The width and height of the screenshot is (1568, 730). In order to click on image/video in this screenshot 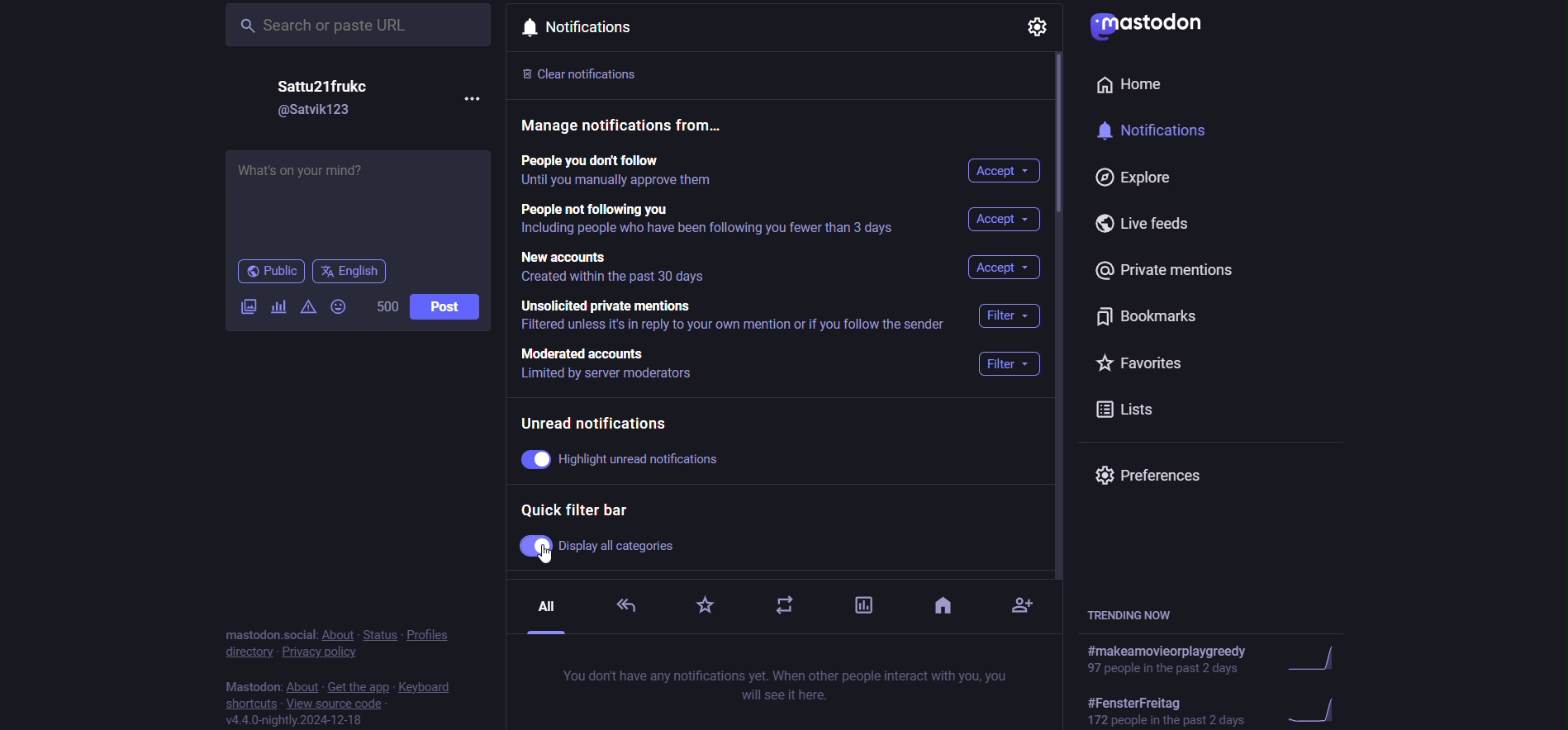, I will do `click(242, 308)`.